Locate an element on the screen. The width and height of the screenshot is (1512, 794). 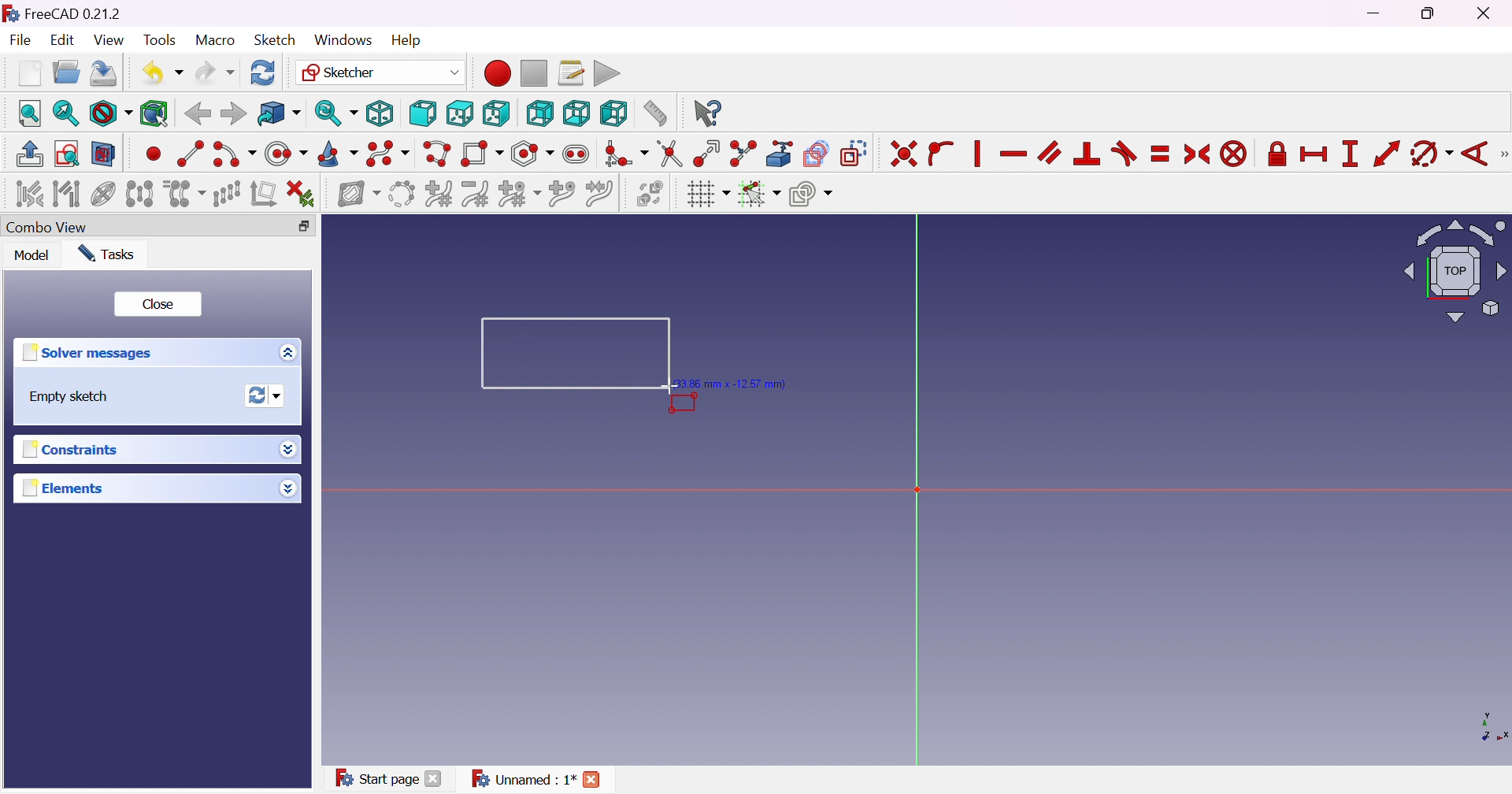
Constrain block is located at coordinates (1234, 155).